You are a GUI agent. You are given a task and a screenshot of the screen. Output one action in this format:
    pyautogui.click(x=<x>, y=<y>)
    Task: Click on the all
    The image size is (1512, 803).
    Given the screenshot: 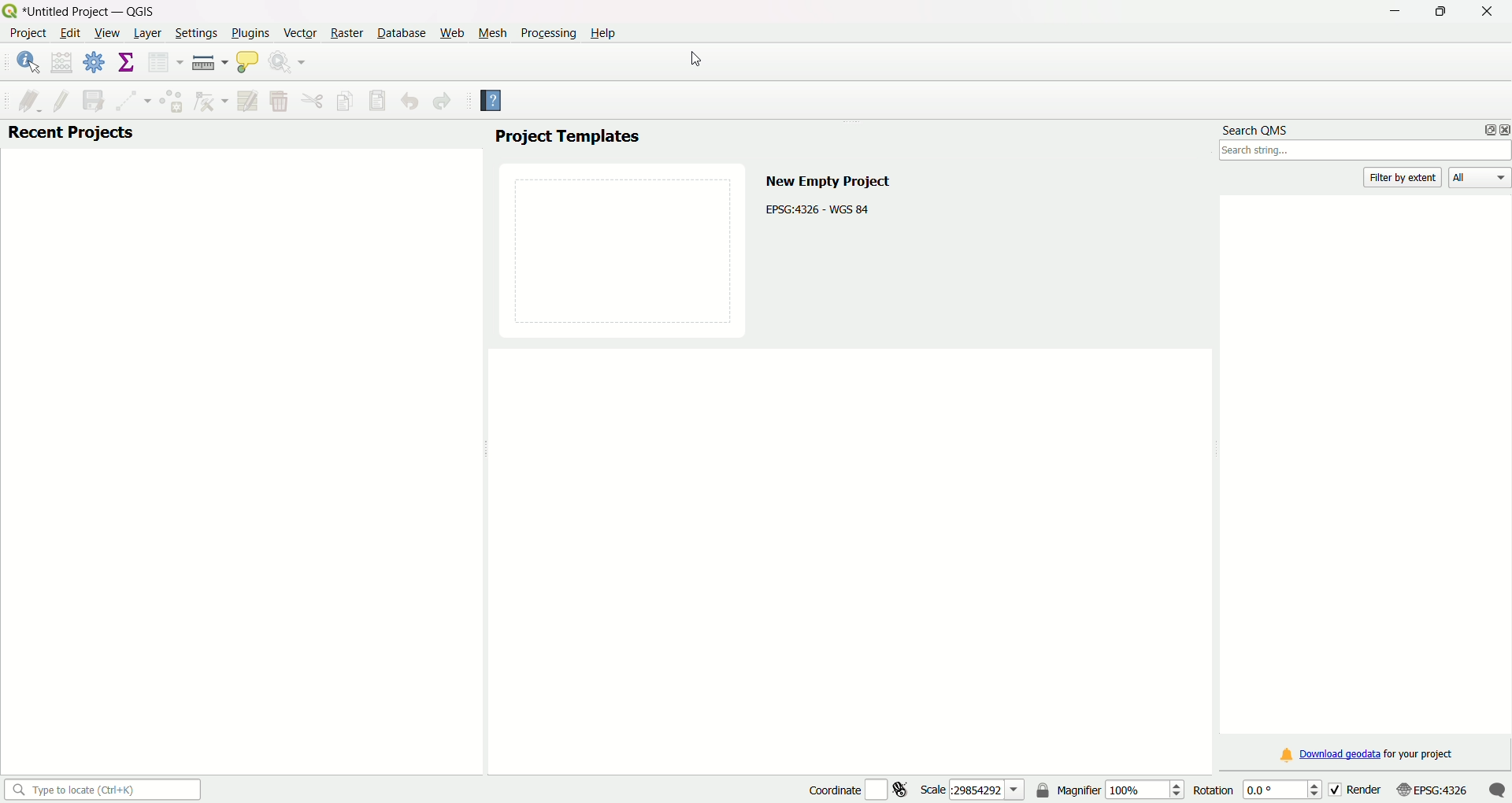 What is the action you would take?
    pyautogui.click(x=1480, y=179)
    